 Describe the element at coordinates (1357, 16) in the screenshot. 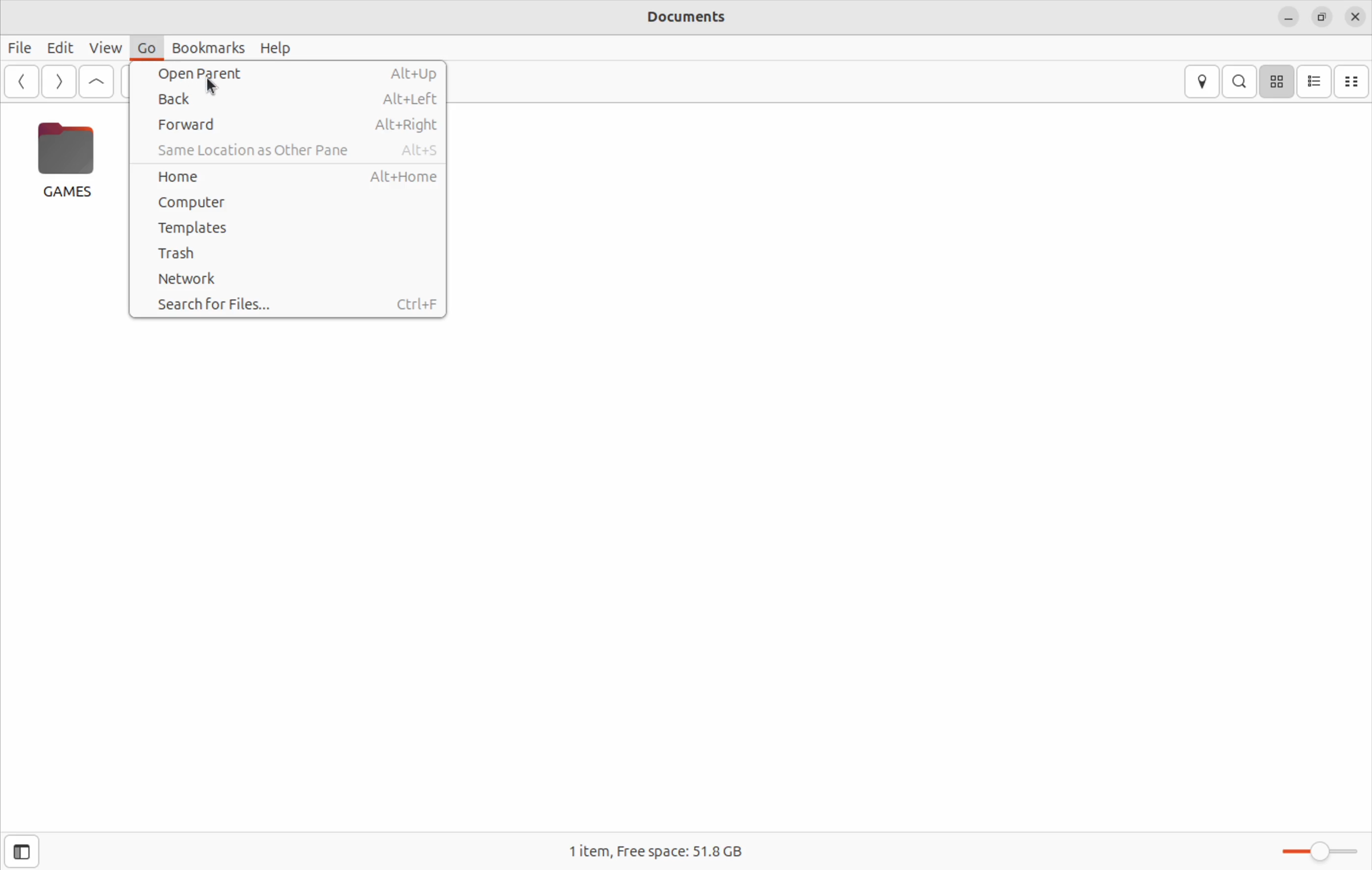

I see `close` at that location.